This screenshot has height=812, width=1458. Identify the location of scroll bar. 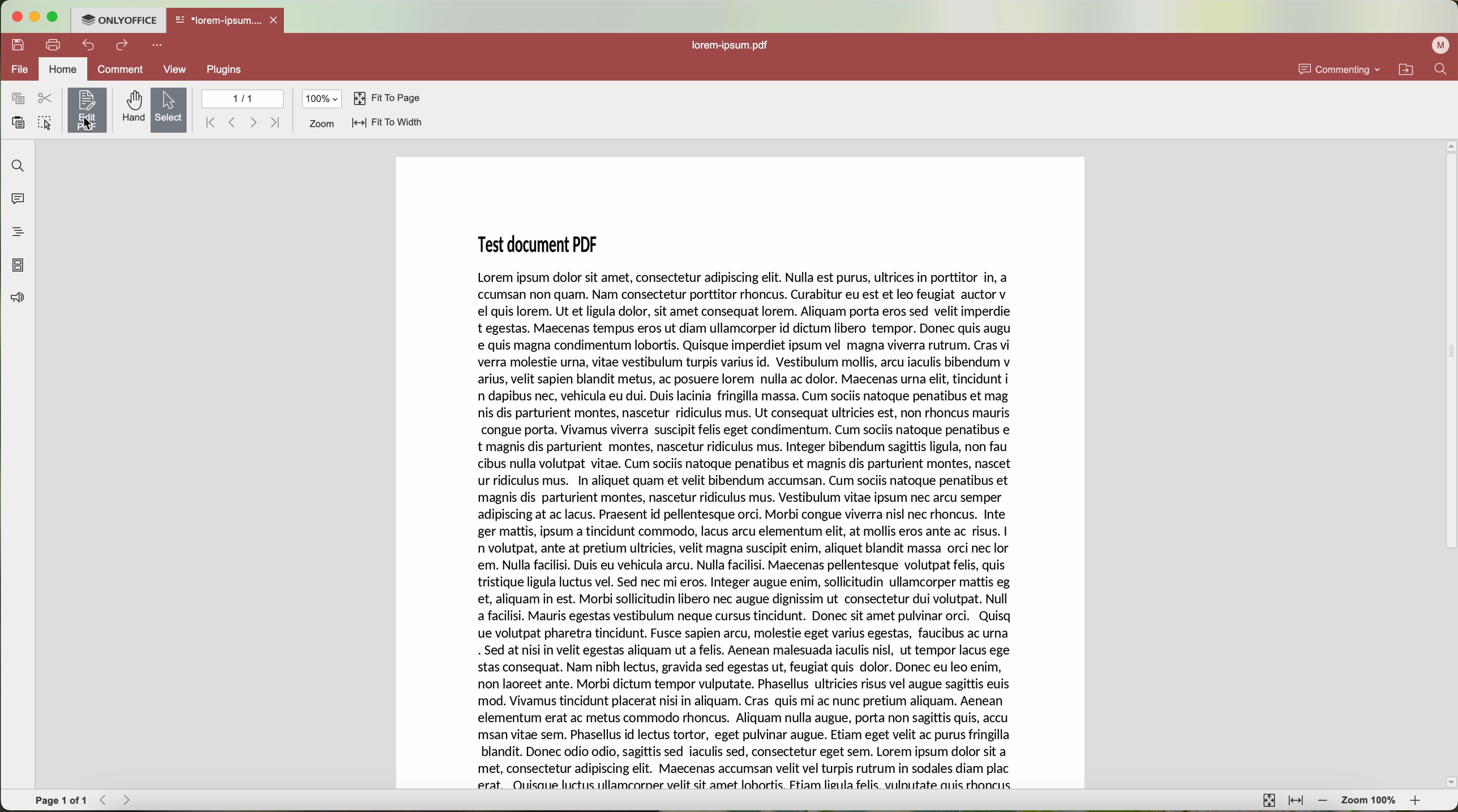
(1449, 465).